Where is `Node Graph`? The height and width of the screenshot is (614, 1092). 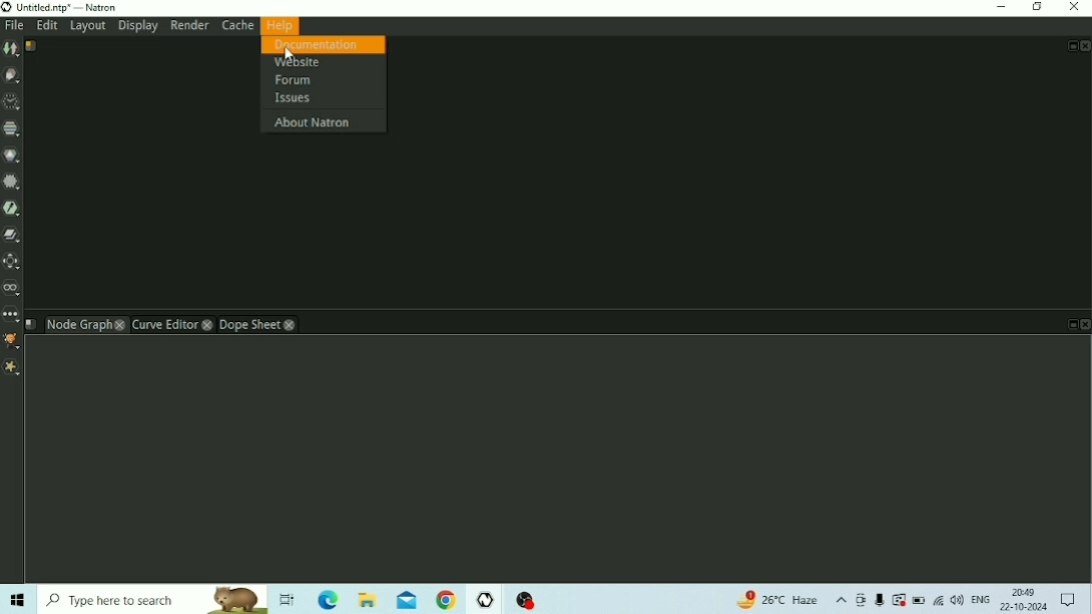
Node Graph is located at coordinates (85, 324).